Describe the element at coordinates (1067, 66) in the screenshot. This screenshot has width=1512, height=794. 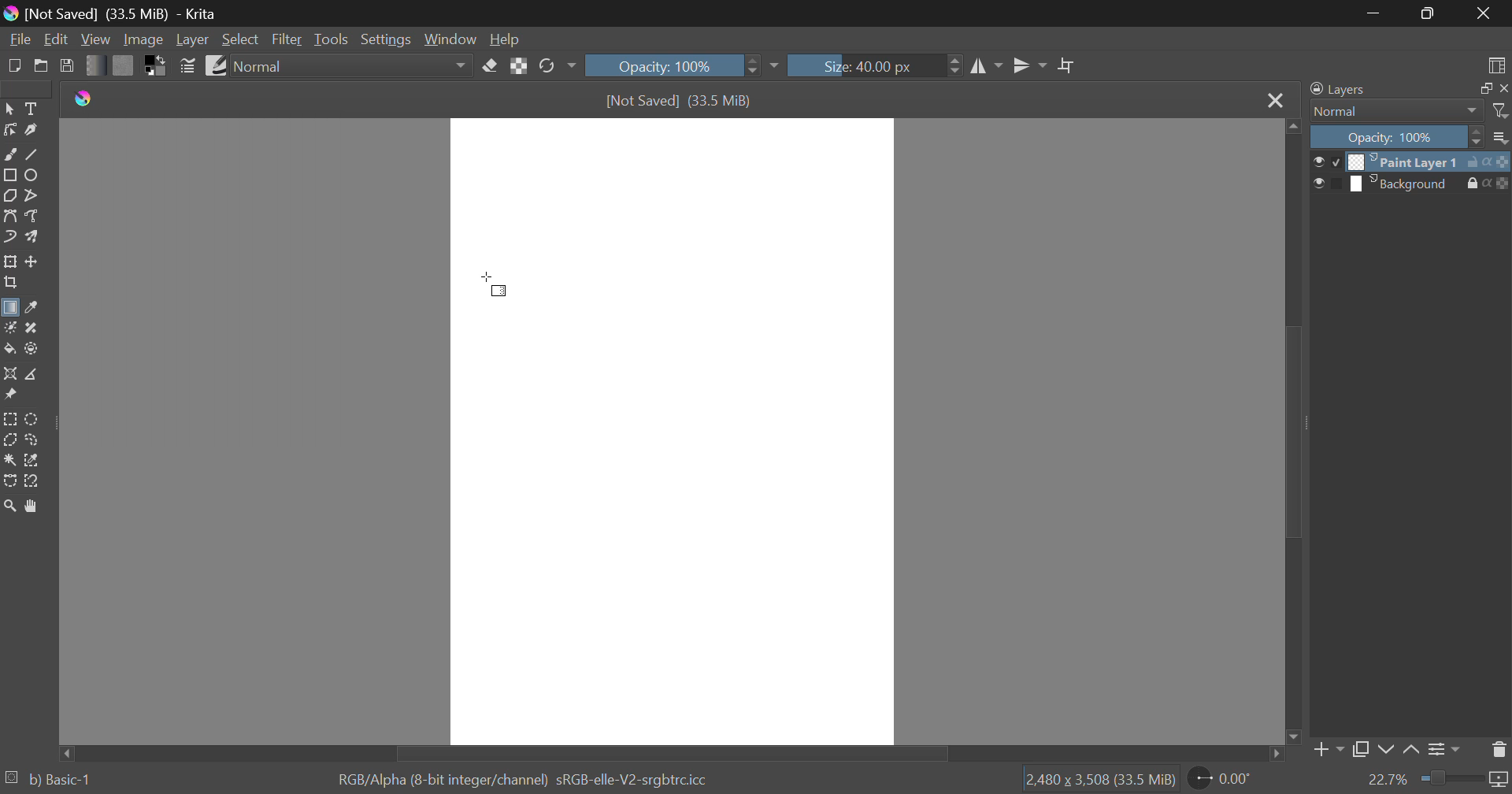
I see `Crop` at that location.